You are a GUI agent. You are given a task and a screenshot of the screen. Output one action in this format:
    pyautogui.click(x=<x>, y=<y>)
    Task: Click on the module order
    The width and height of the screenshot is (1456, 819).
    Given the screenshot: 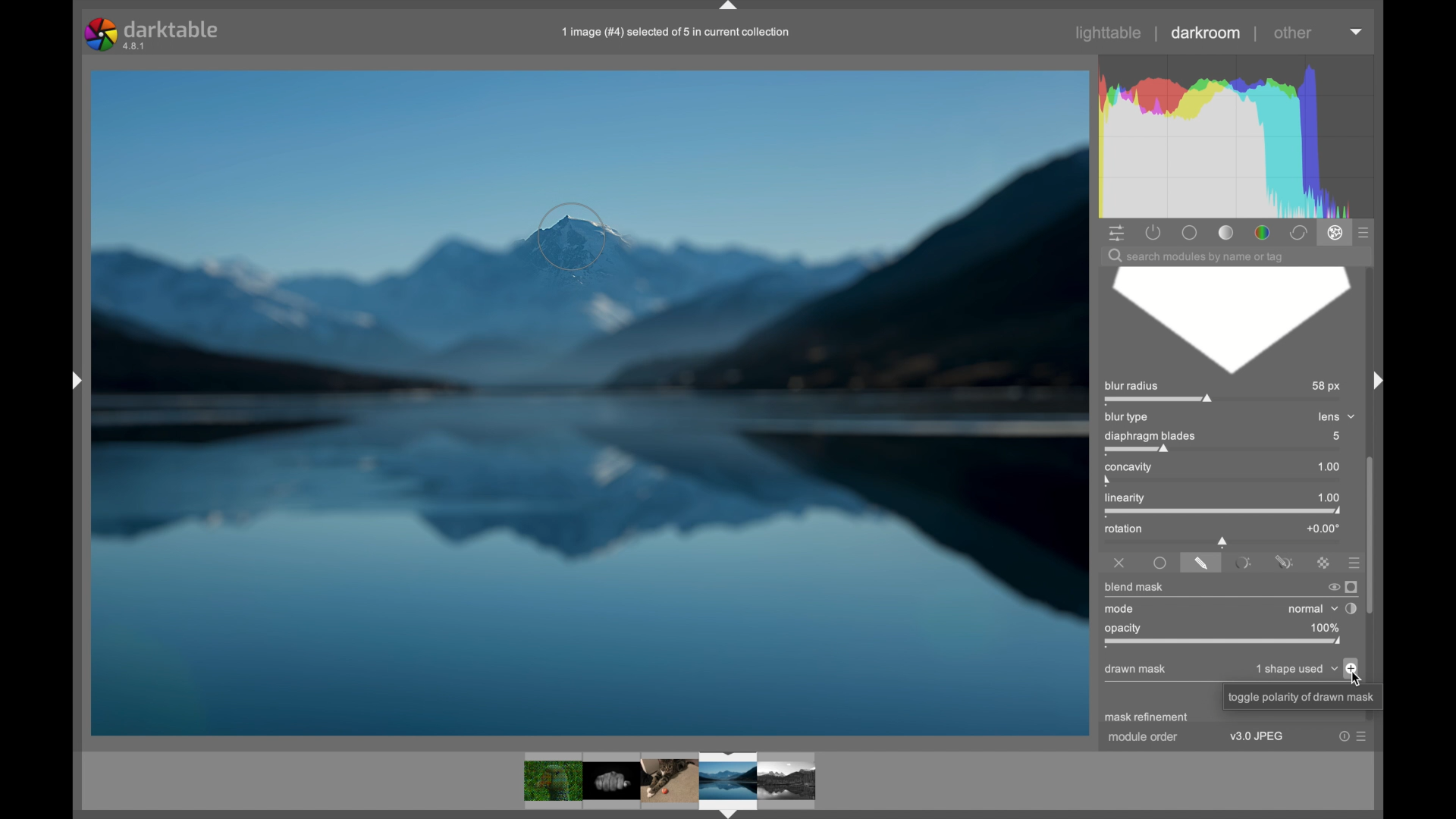 What is the action you would take?
    pyautogui.click(x=1142, y=739)
    